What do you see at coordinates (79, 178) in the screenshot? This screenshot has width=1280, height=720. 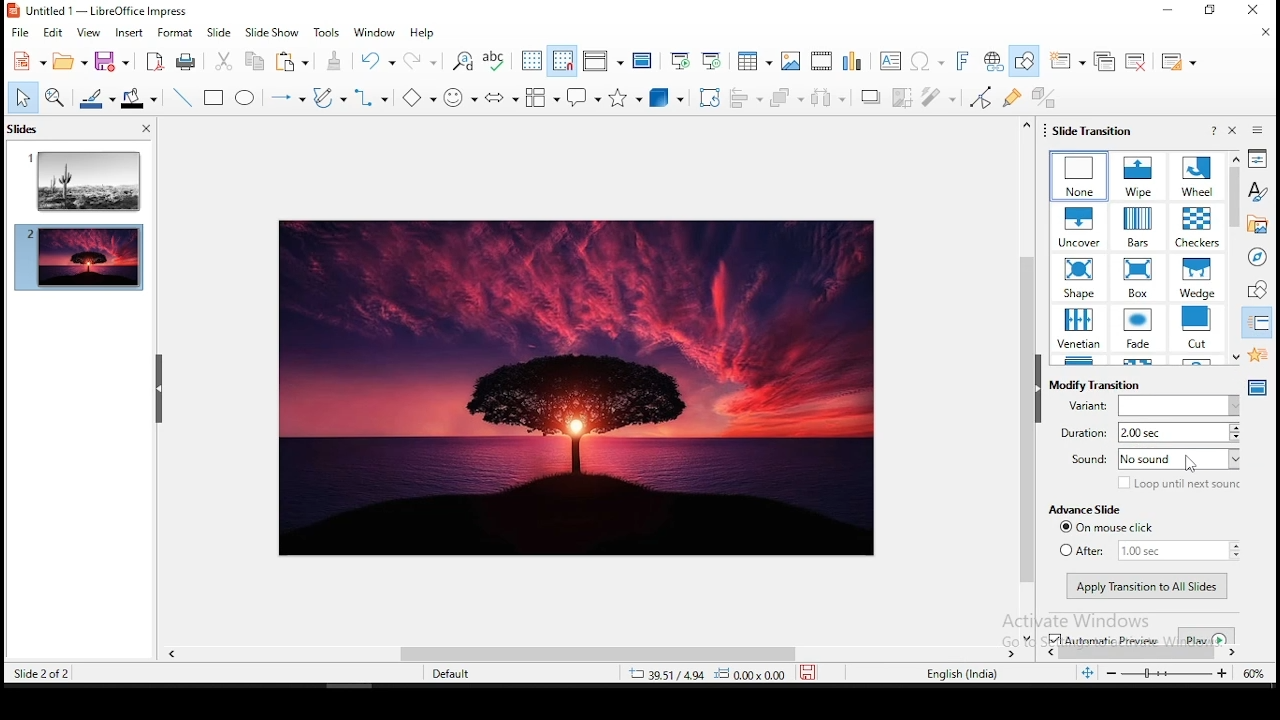 I see `slide 1` at bounding box center [79, 178].